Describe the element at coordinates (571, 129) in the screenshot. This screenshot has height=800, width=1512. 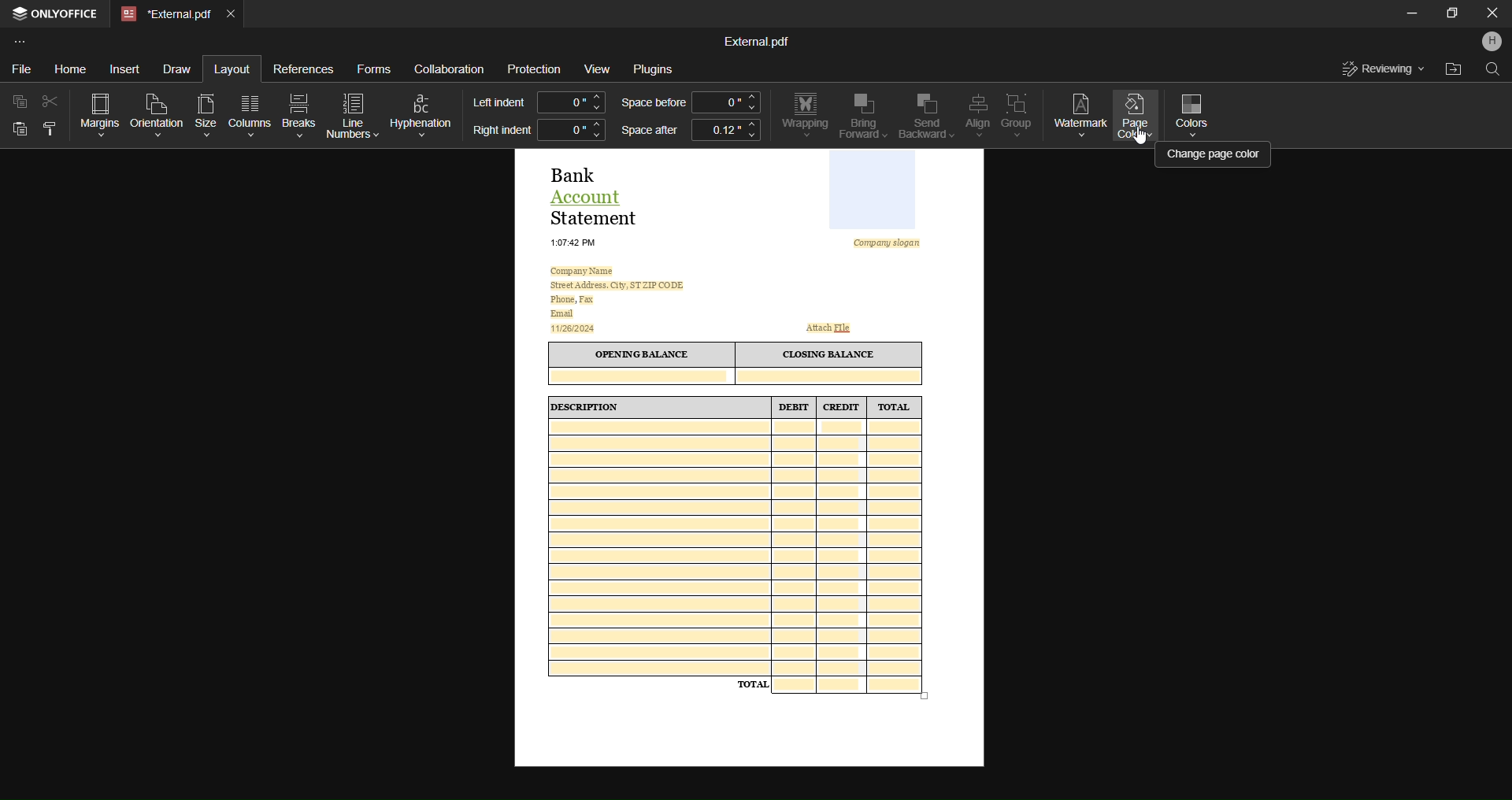
I see `Adjust Right Indent` at that location.